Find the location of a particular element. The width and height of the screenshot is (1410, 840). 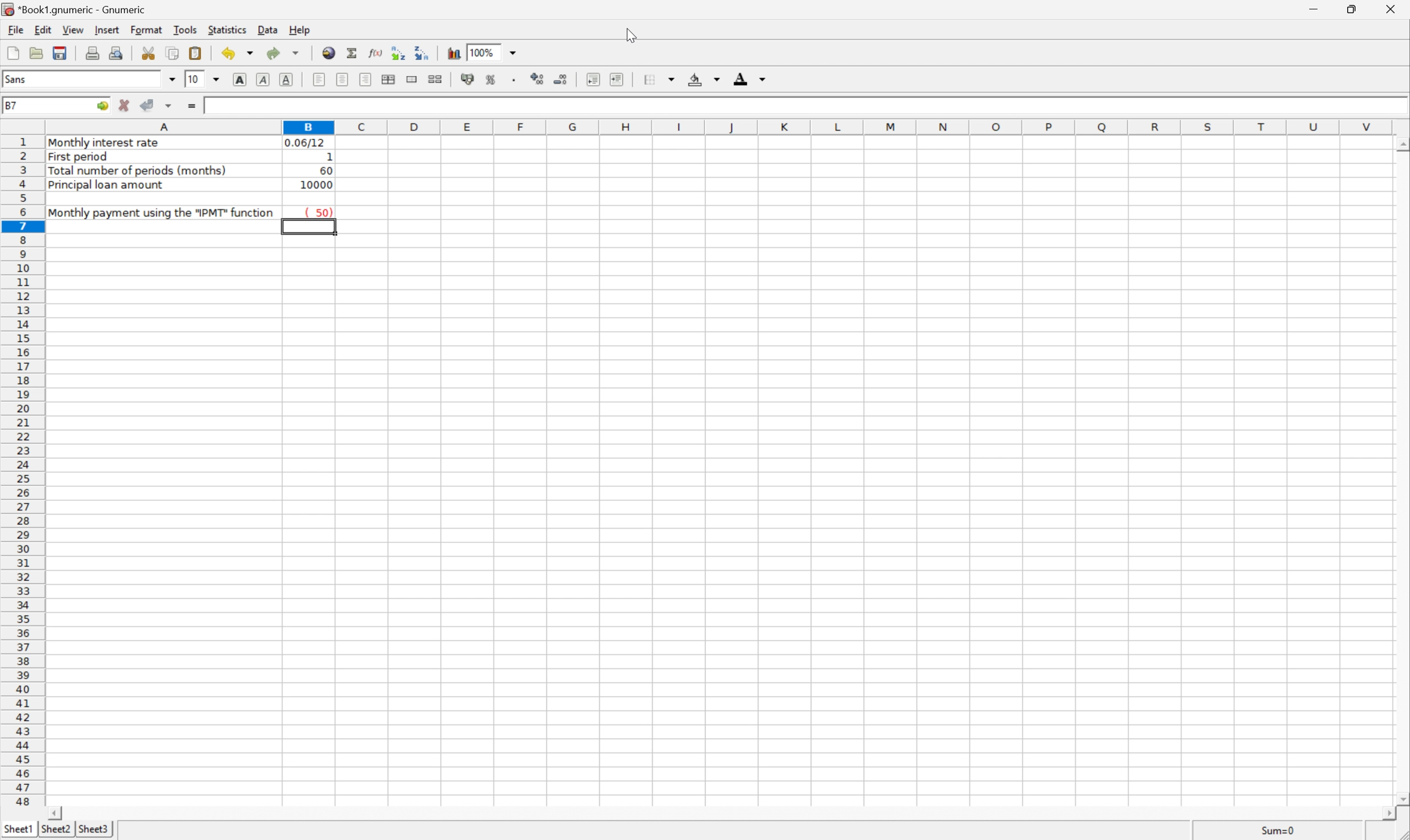

Format is located at coordinates (147, 30).